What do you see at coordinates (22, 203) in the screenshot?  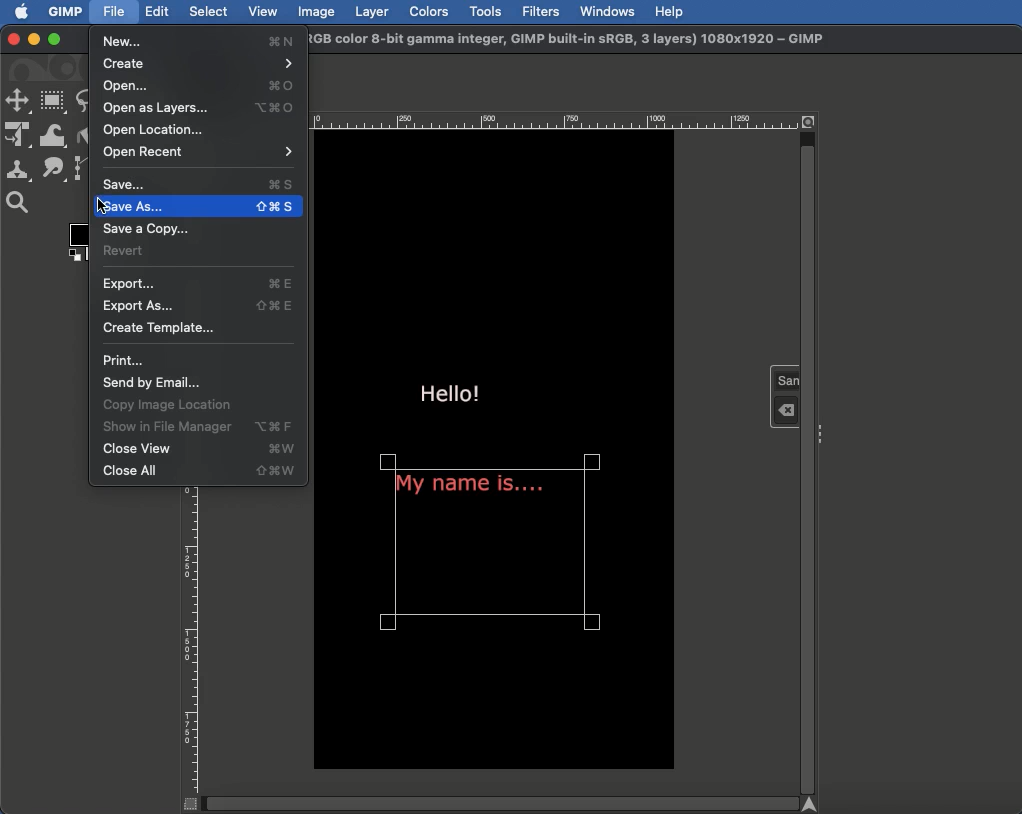 I see `Magnify` at bounding box center [22, 203].